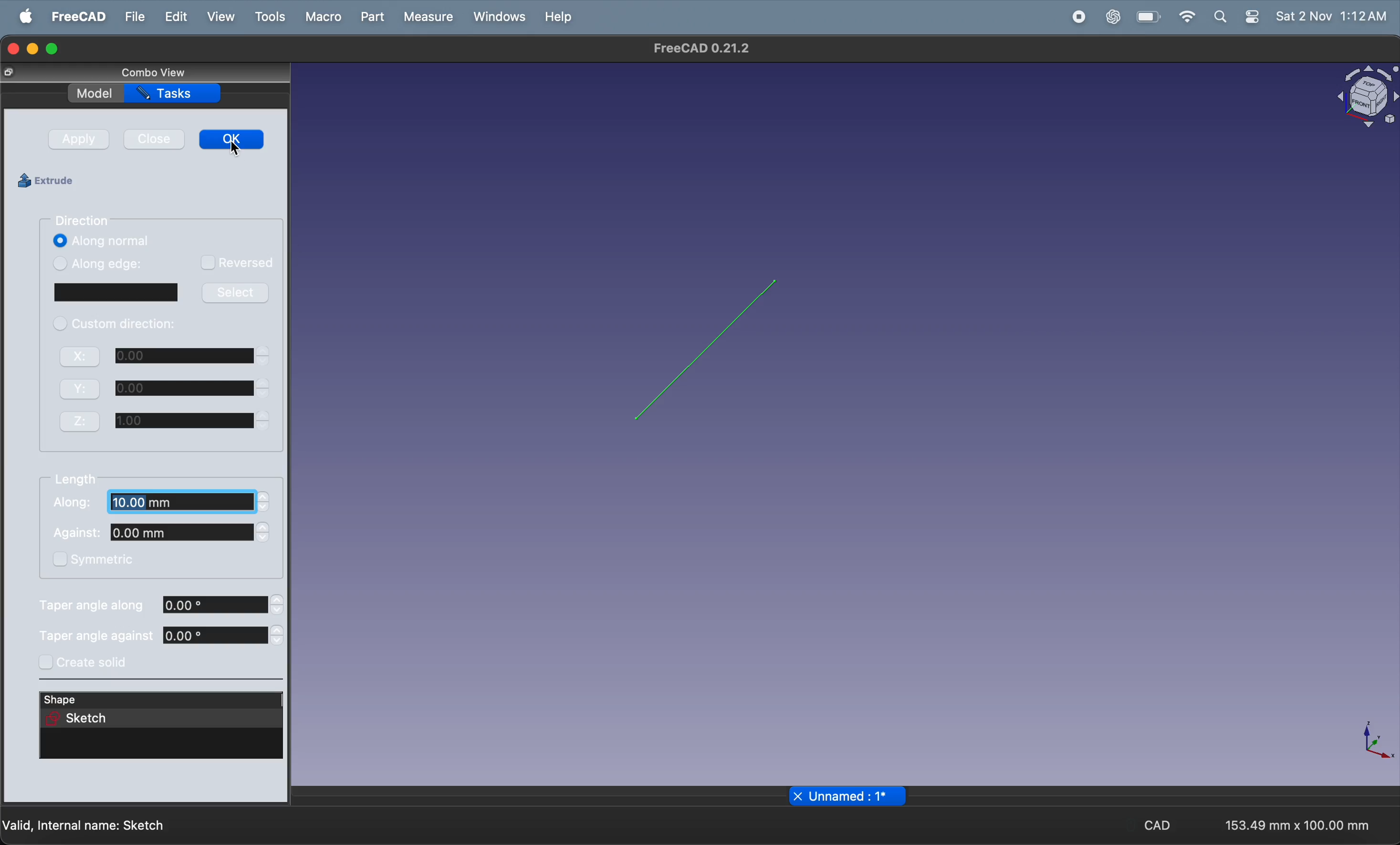 The image size is (1400, 845). What do you see at coordinates (1079, 18) in the screenshot?
I see `record` at bounding box center [1079, 18].